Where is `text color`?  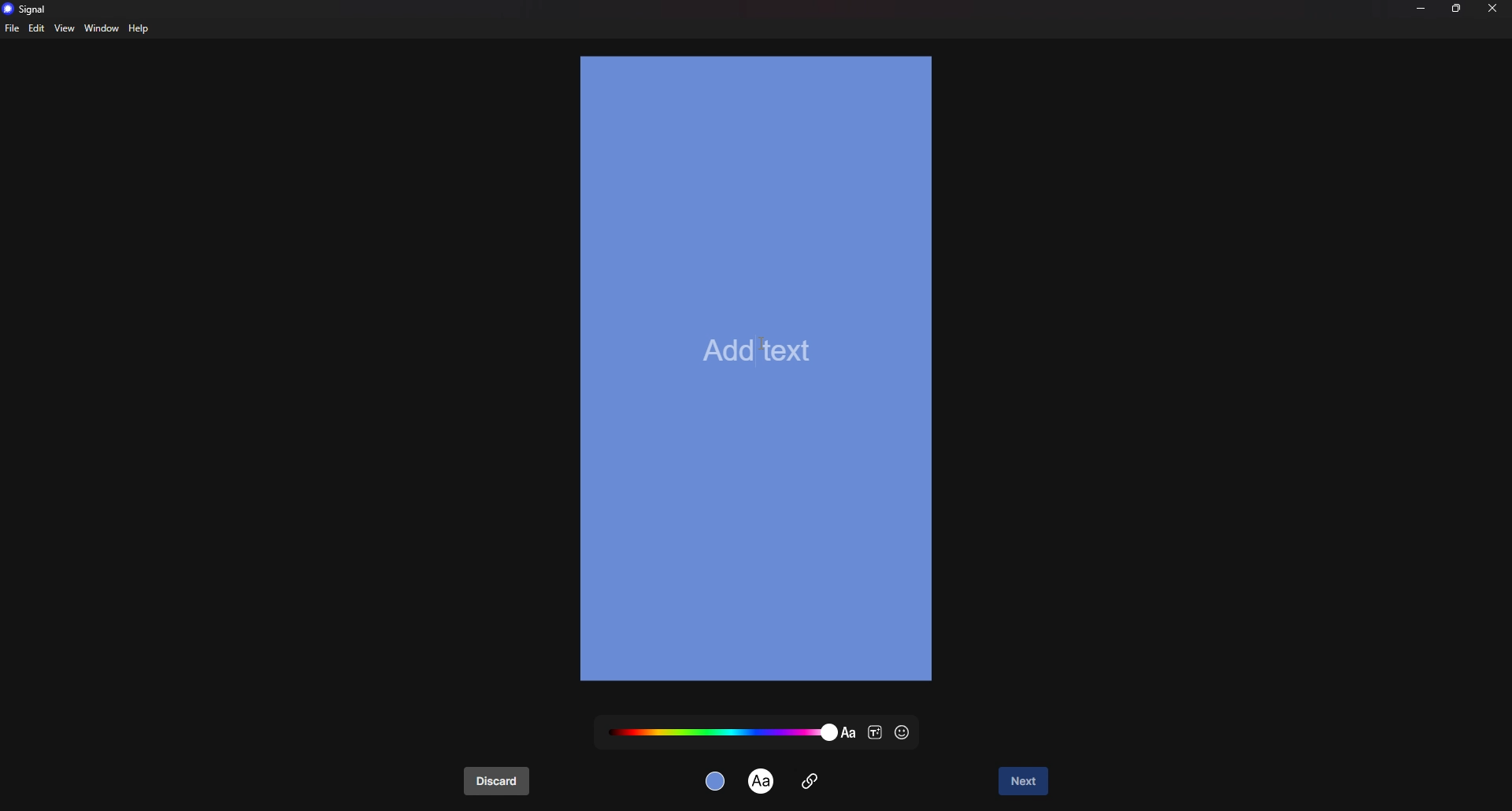 text color is located at coordinates (721, 731).